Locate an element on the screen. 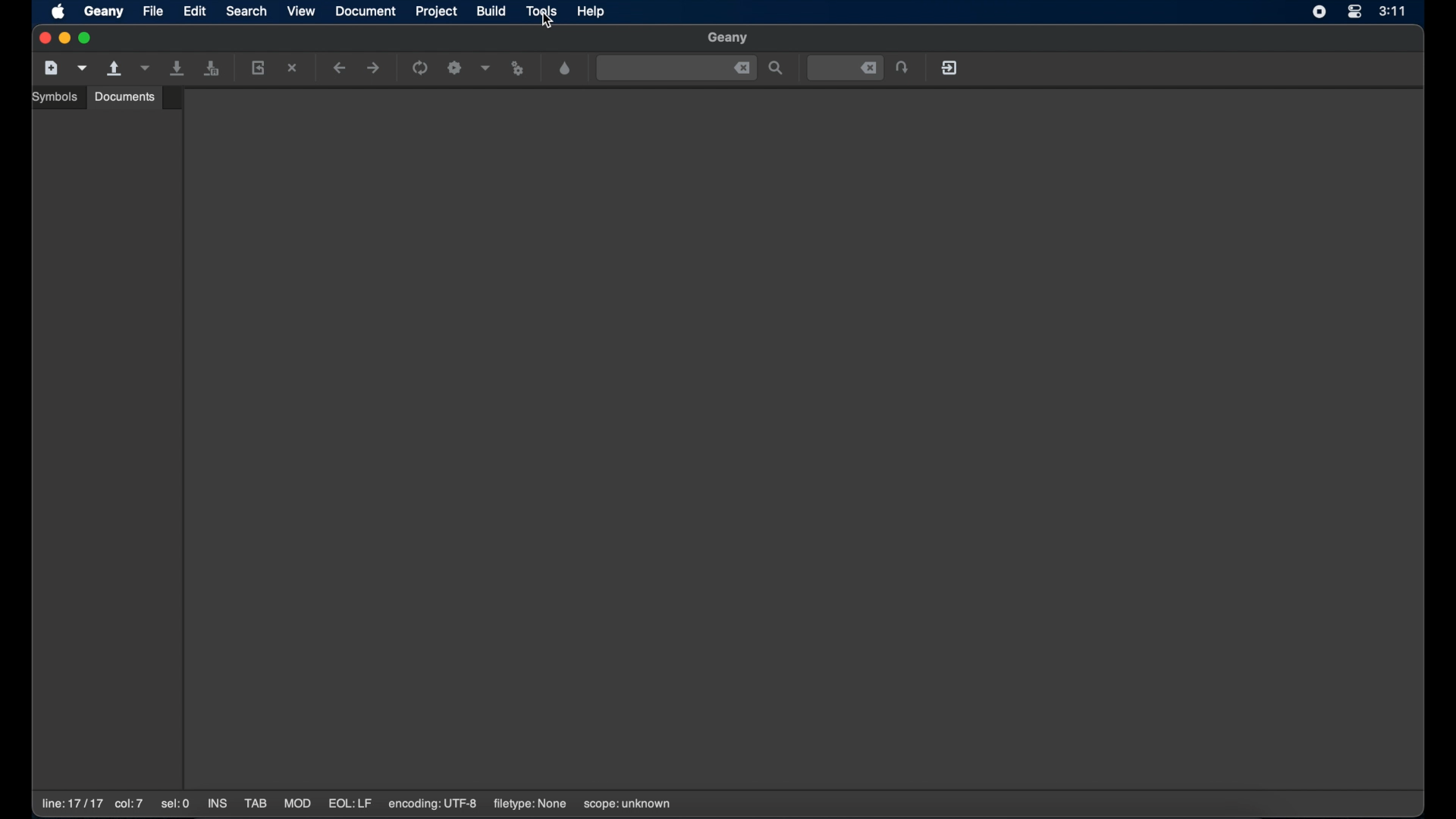 The image size is (1456, 819). navigate backward a location is located at coordinates (340, 69).